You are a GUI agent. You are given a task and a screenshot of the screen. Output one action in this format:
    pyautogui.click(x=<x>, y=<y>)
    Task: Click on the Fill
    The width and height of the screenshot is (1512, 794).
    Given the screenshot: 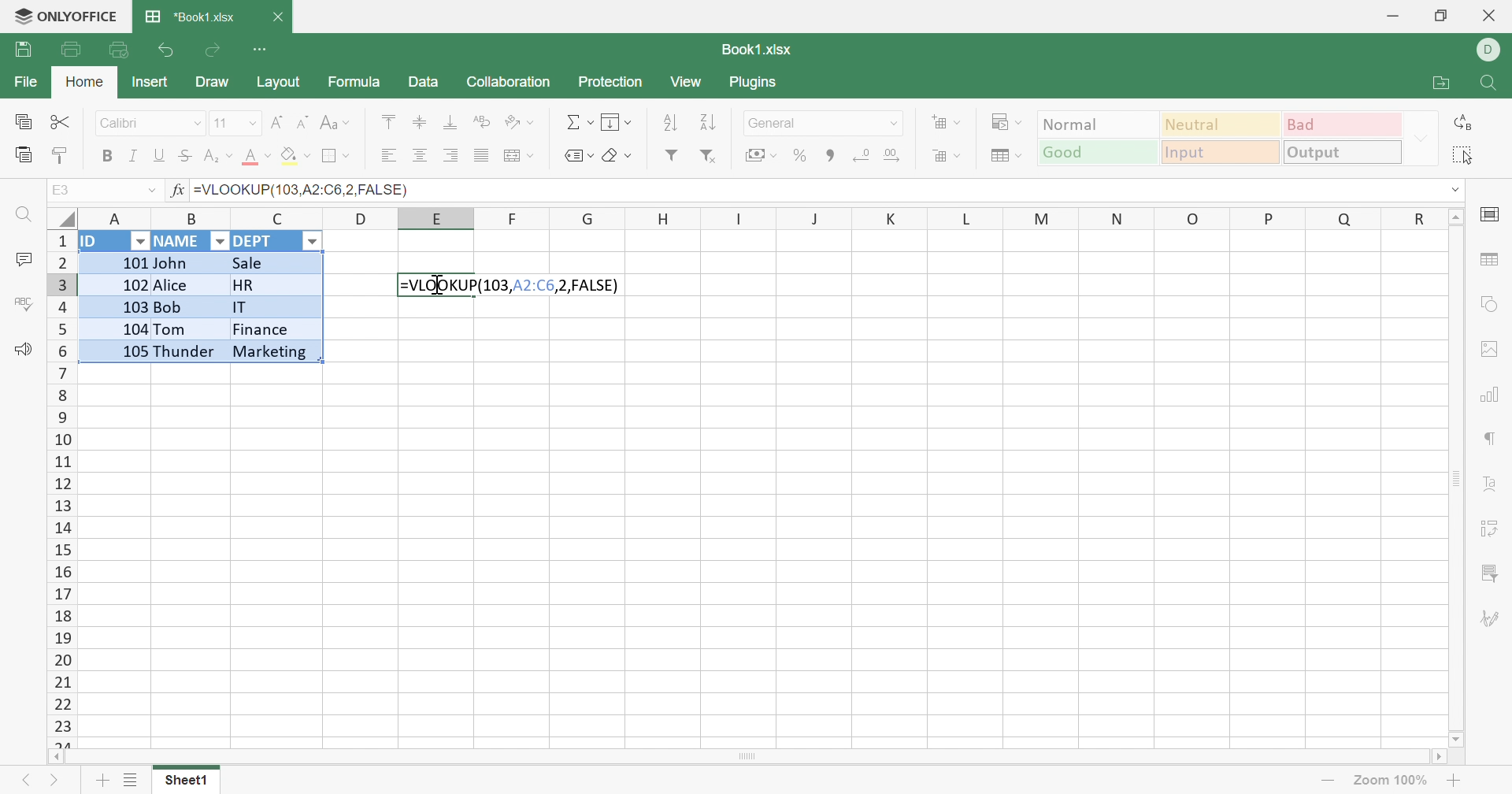 What is the action you would take?
    pyautogui.click(x=616, y=121)
    